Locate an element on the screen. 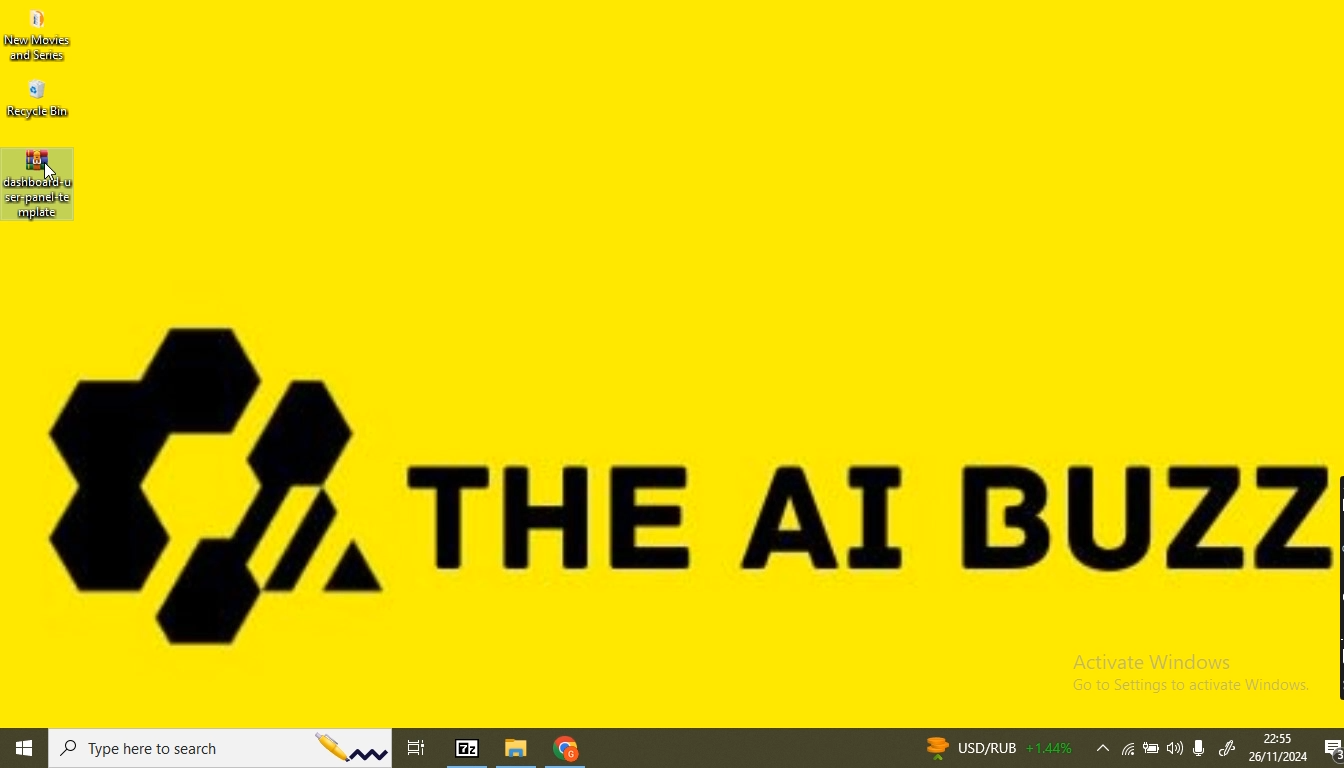 The image size is (1344, 768). file browser is located at coordinates (519, 749).